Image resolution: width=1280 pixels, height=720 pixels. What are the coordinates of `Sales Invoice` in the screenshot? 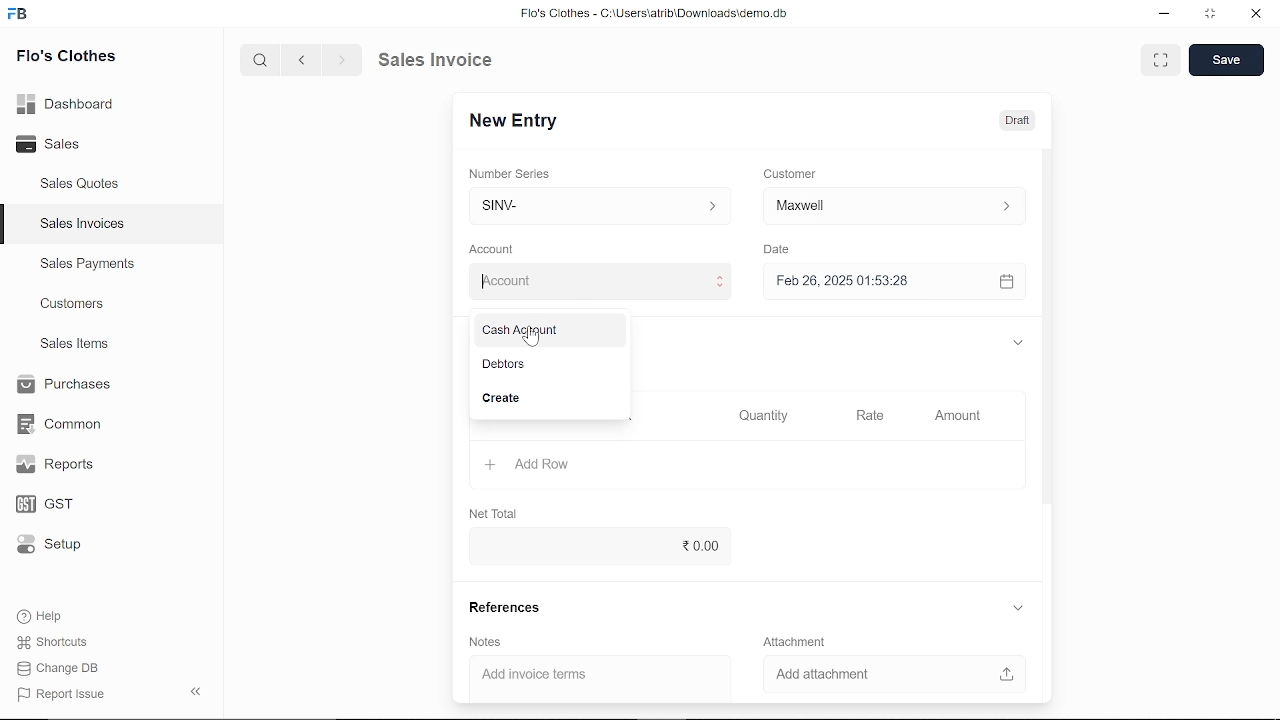 It's located at (450, 59).